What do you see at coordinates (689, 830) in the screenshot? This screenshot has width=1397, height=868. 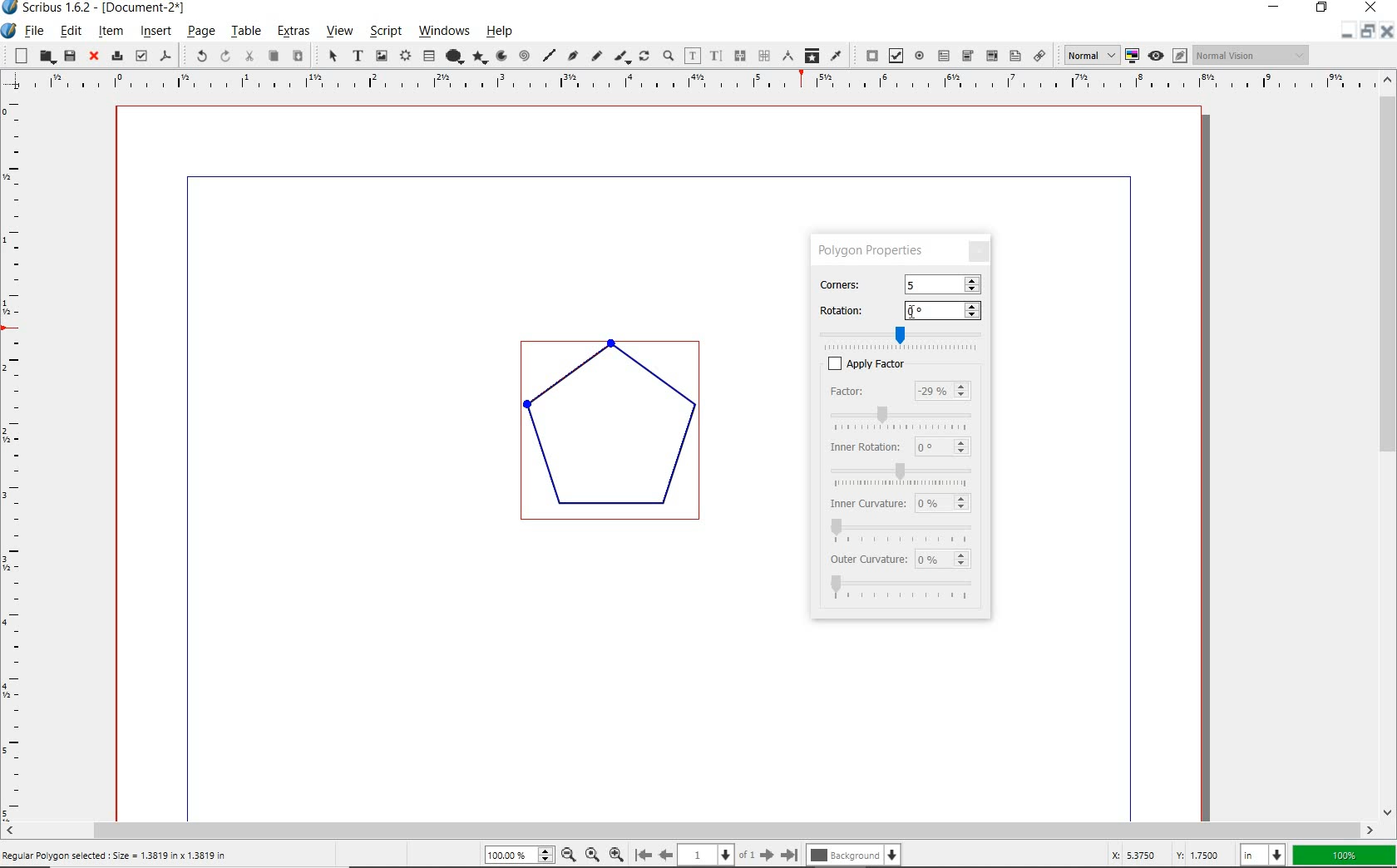 I see `scrollbar` at bounding box center [689, 830].